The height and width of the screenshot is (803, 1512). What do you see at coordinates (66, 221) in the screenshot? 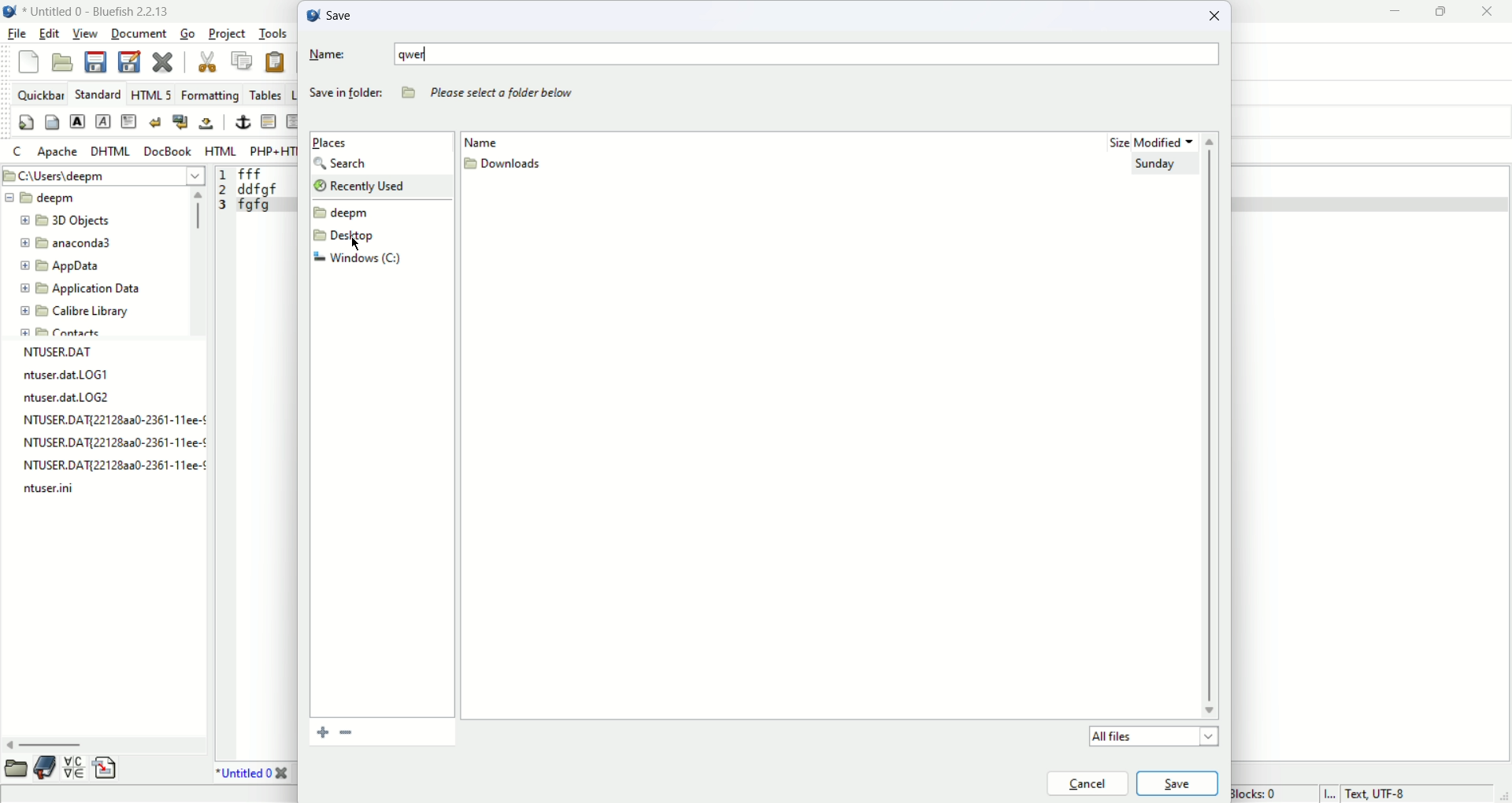
I see `3D objects` at bounding box center [66, 221].